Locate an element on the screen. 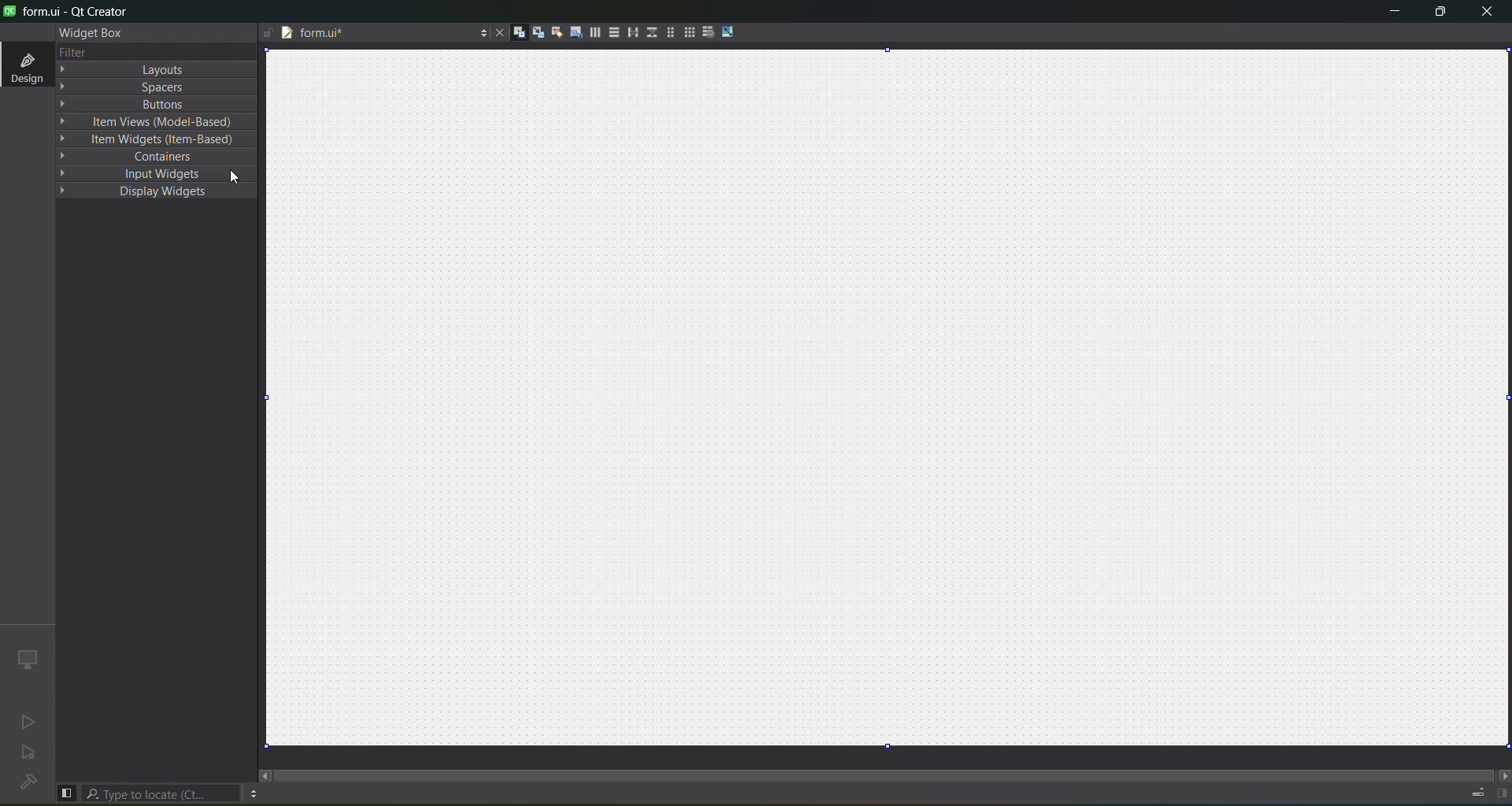  show left is located at coordinates (68, 792).